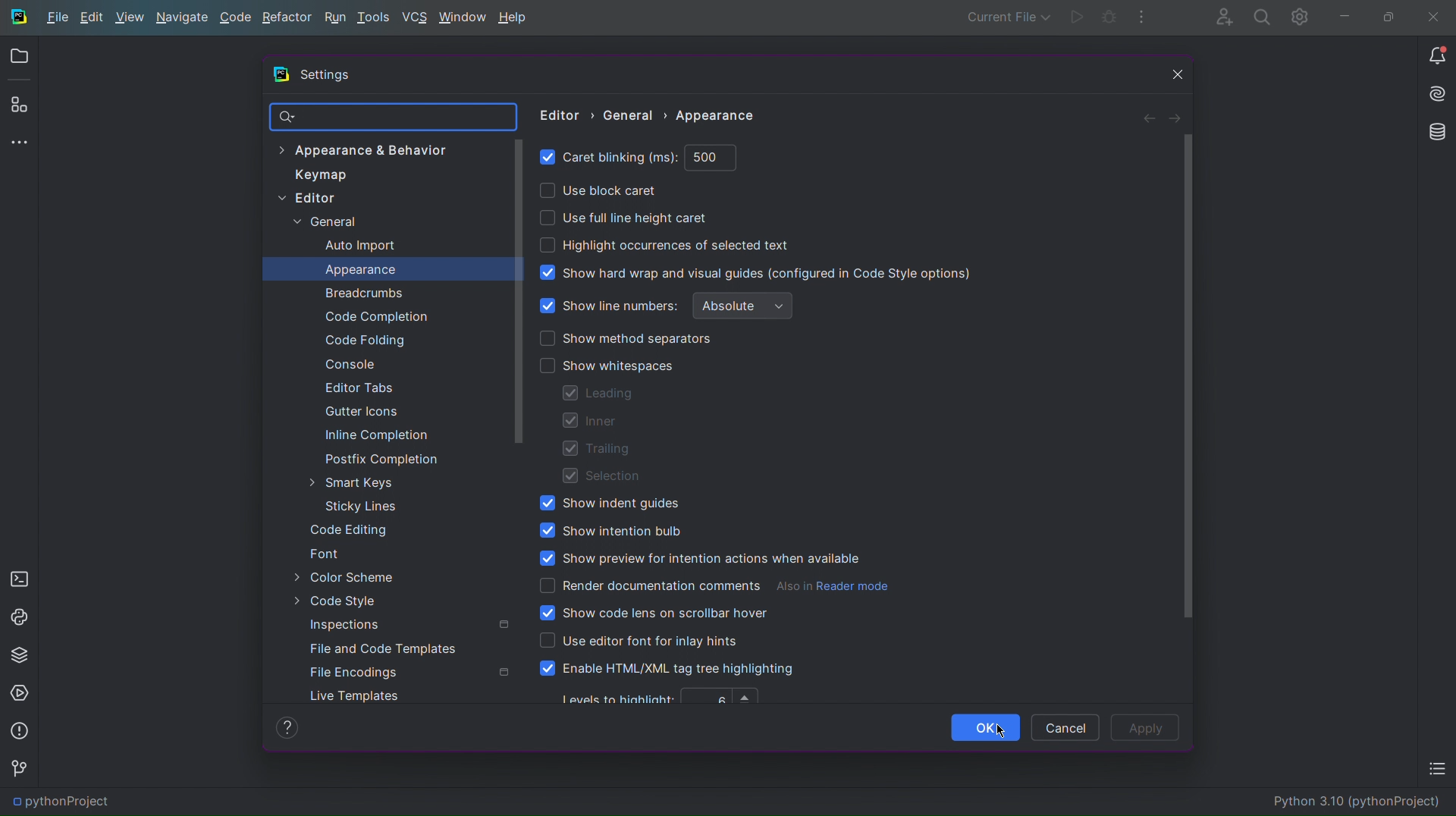 The width and height of the screenshot is (1456, 816). What do you see at coordinates (654, 614) in the screenshot?
I see `Show code lens on scrollbar hover` at bounding box center [654, 614].